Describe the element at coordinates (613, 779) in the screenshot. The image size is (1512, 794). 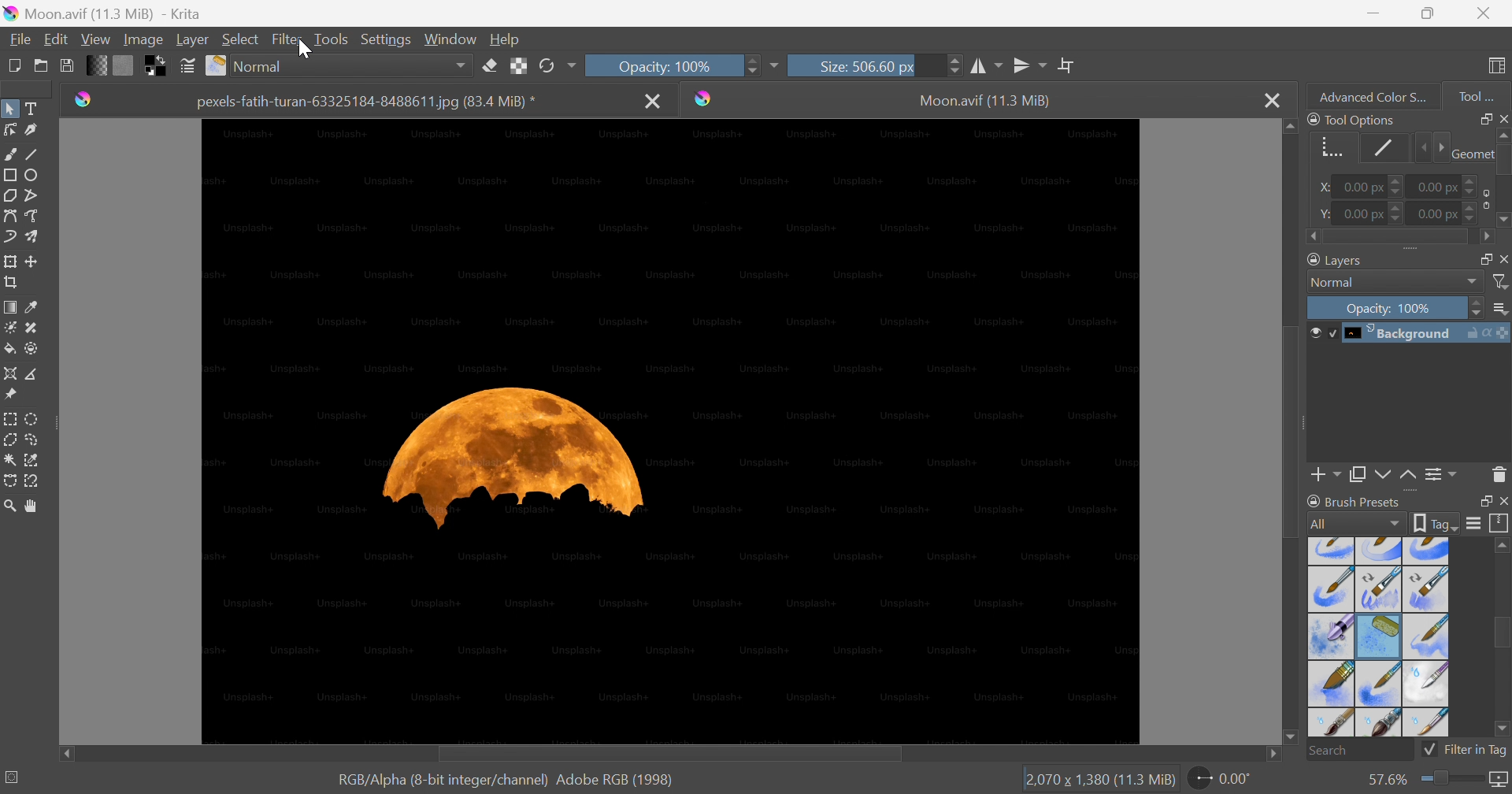
I see `Adobe RGB (1998)` at that location.